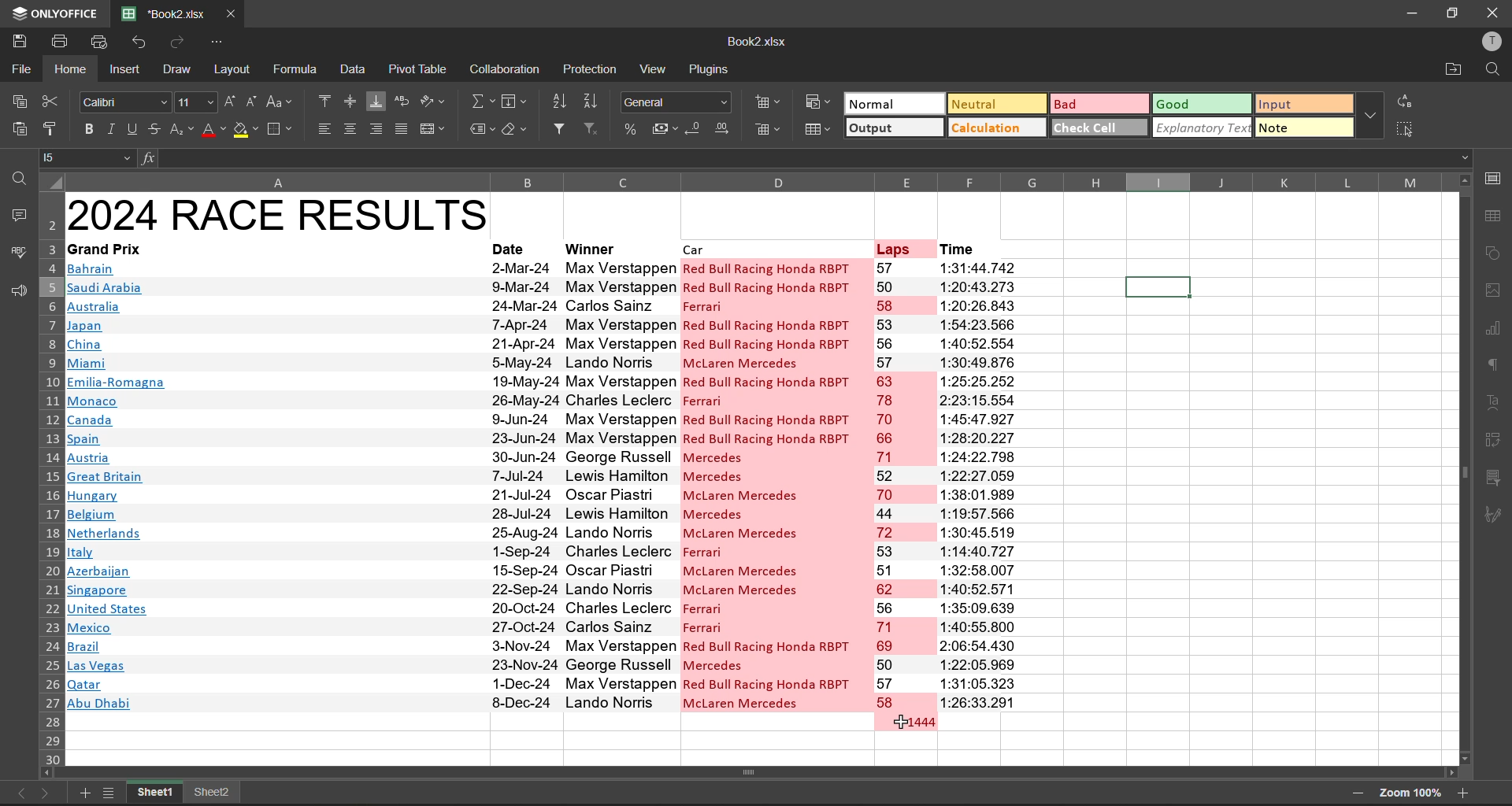  What do you see at coordinates (1200, 103) in the screenshot?
I see `good` at bounding box center [1200, 103].